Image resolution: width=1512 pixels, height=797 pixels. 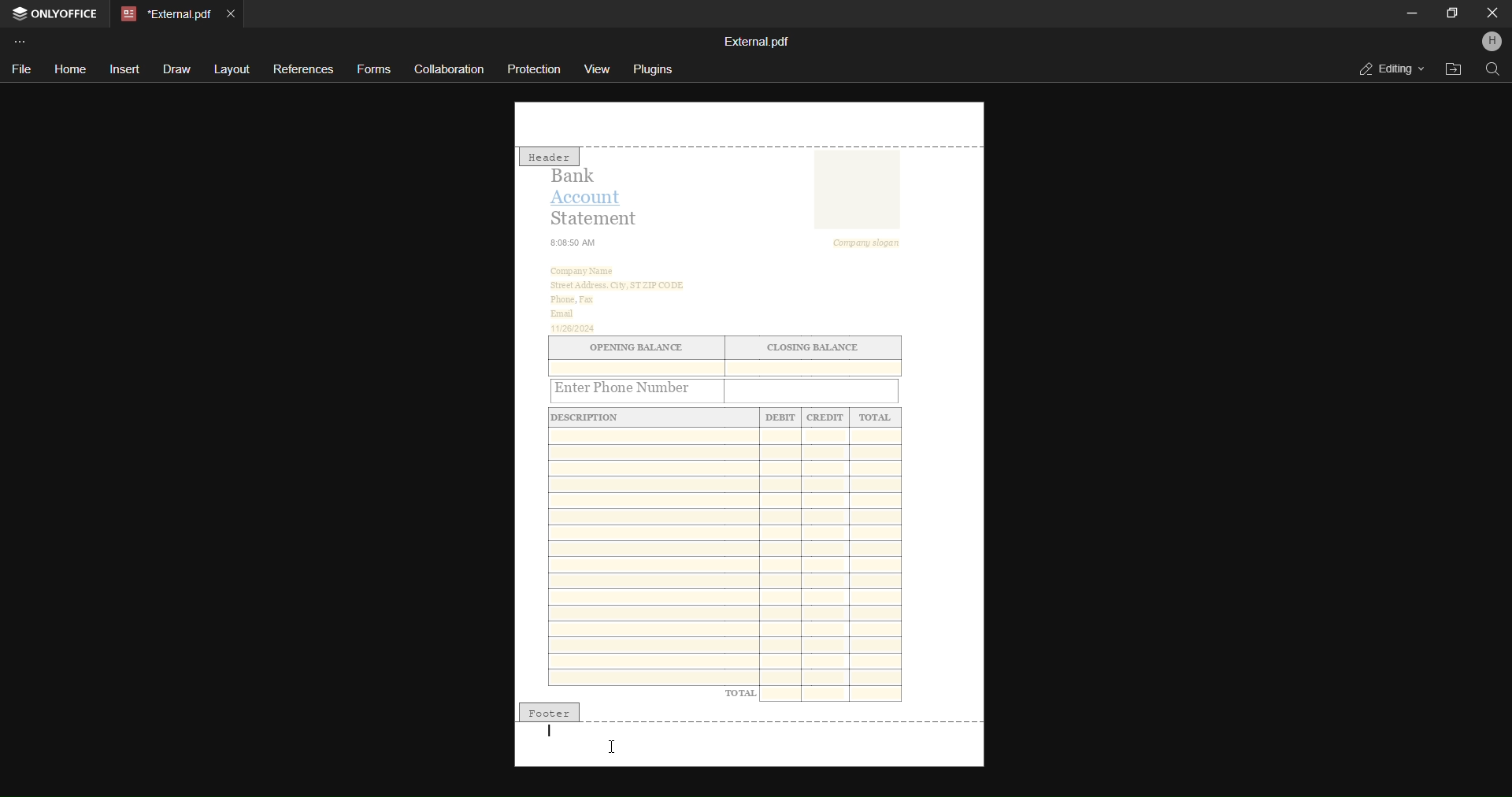 What do you see at coordinates (825, 418) in the screenshot?
I see `CREDIT` at bounding box center [825, 418].